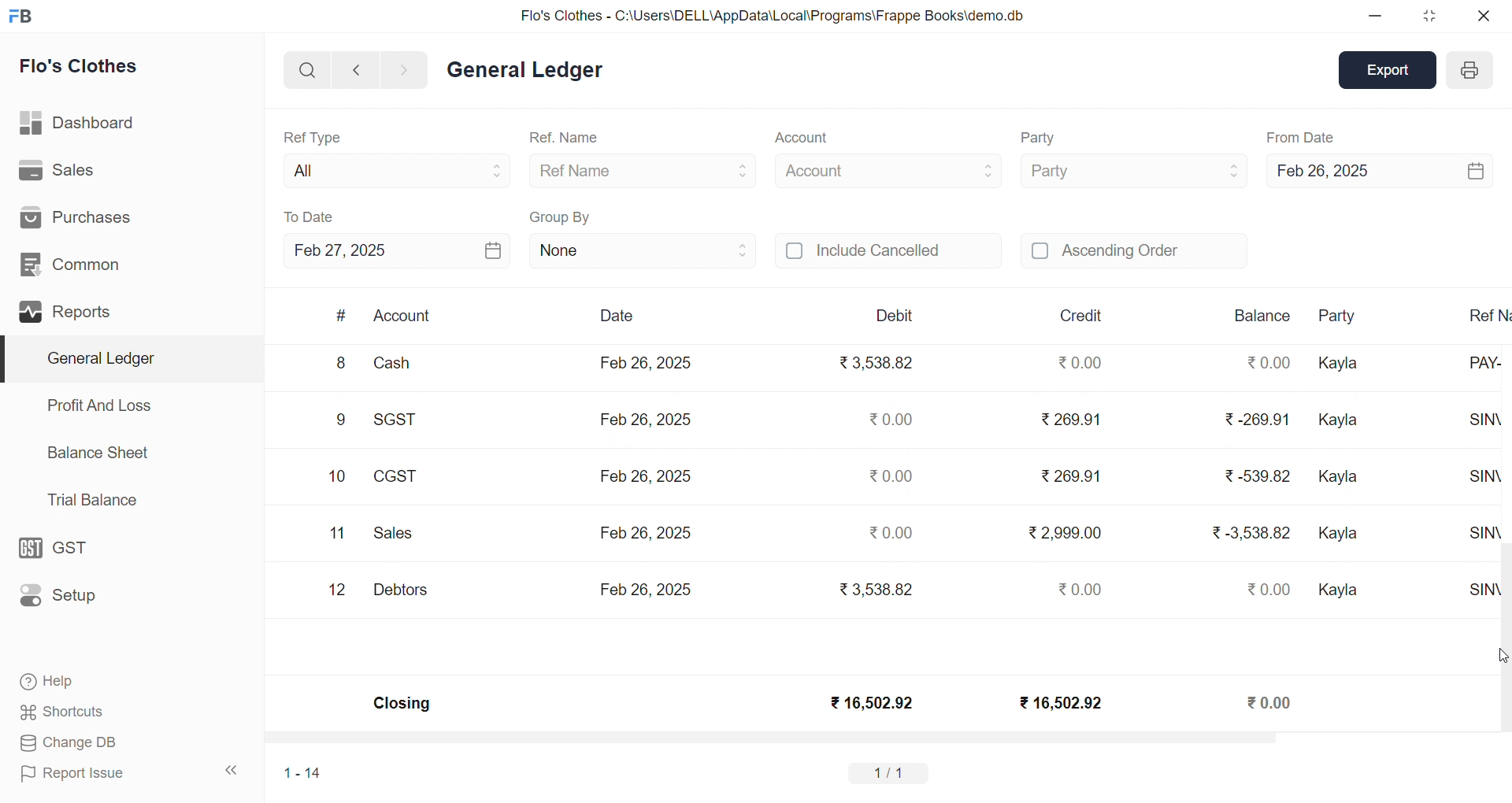 The height and width of the screenshot is (803, 1512). Describe the element at coordinates (339, 364) in the screenshot. I see `8` at that location.